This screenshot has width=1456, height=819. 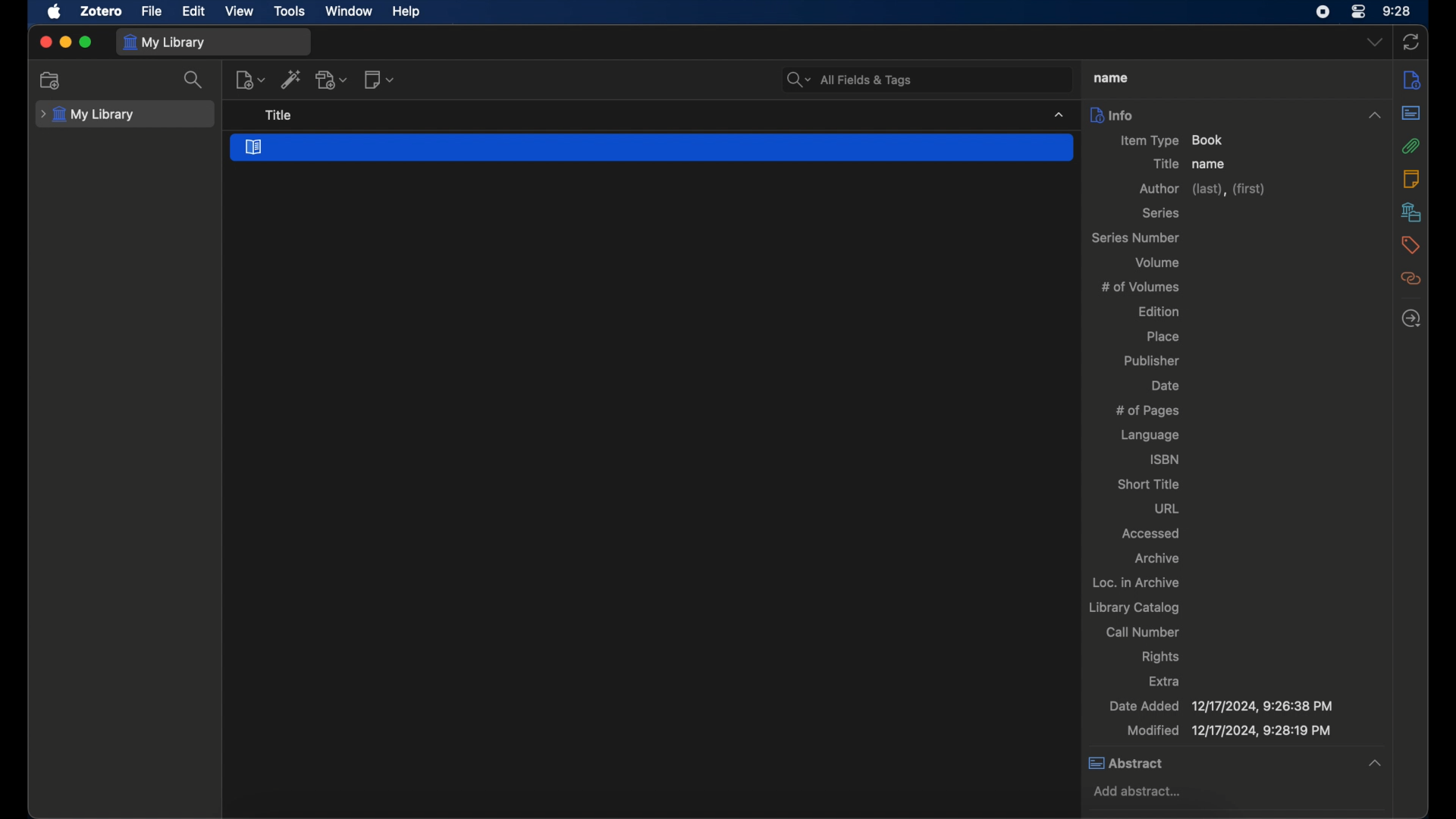 I want to click on date added, so click(x=1219, y=707).